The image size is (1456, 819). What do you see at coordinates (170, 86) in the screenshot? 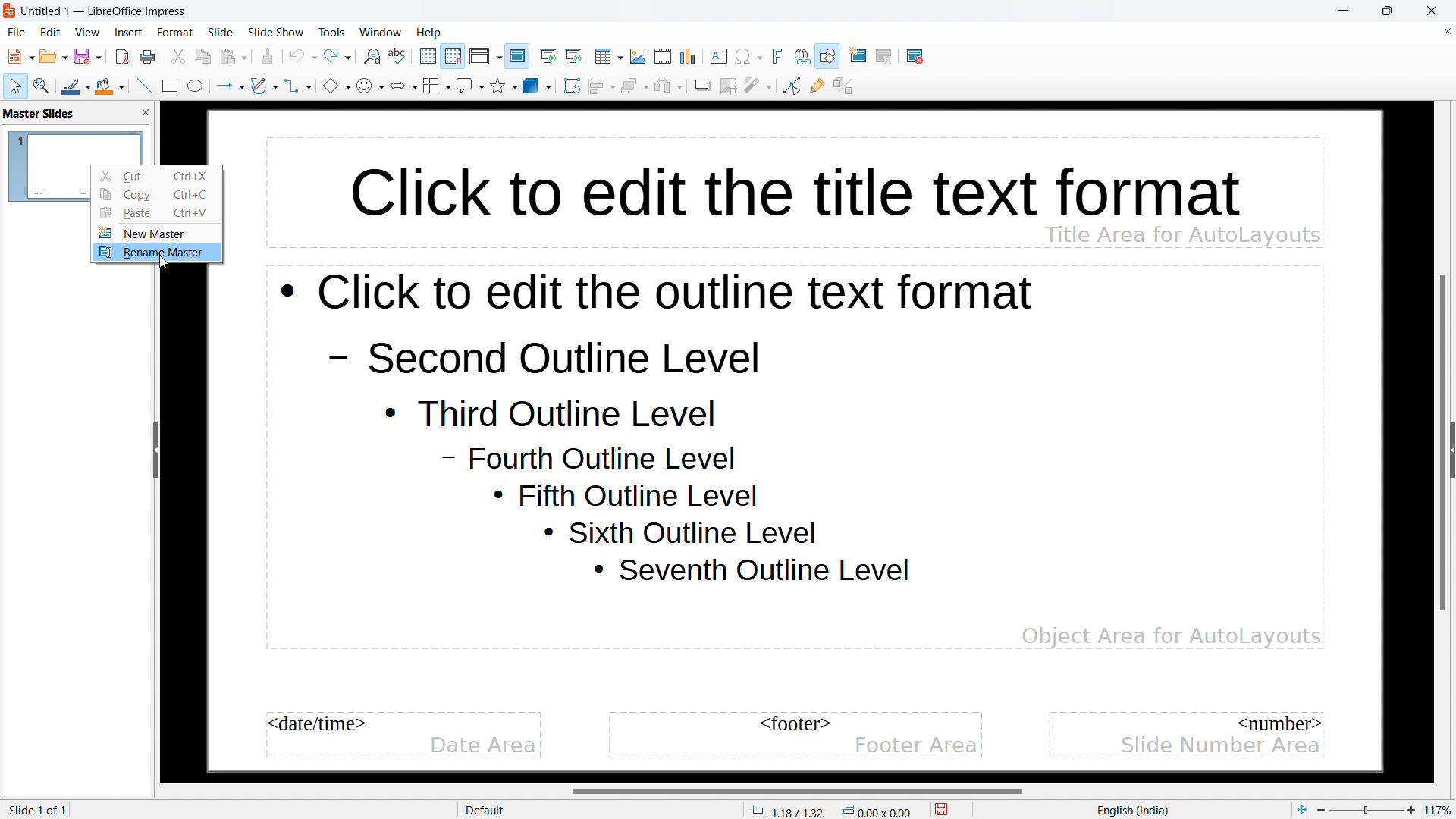
I see `rectangle` at bounding box center [170, 86].